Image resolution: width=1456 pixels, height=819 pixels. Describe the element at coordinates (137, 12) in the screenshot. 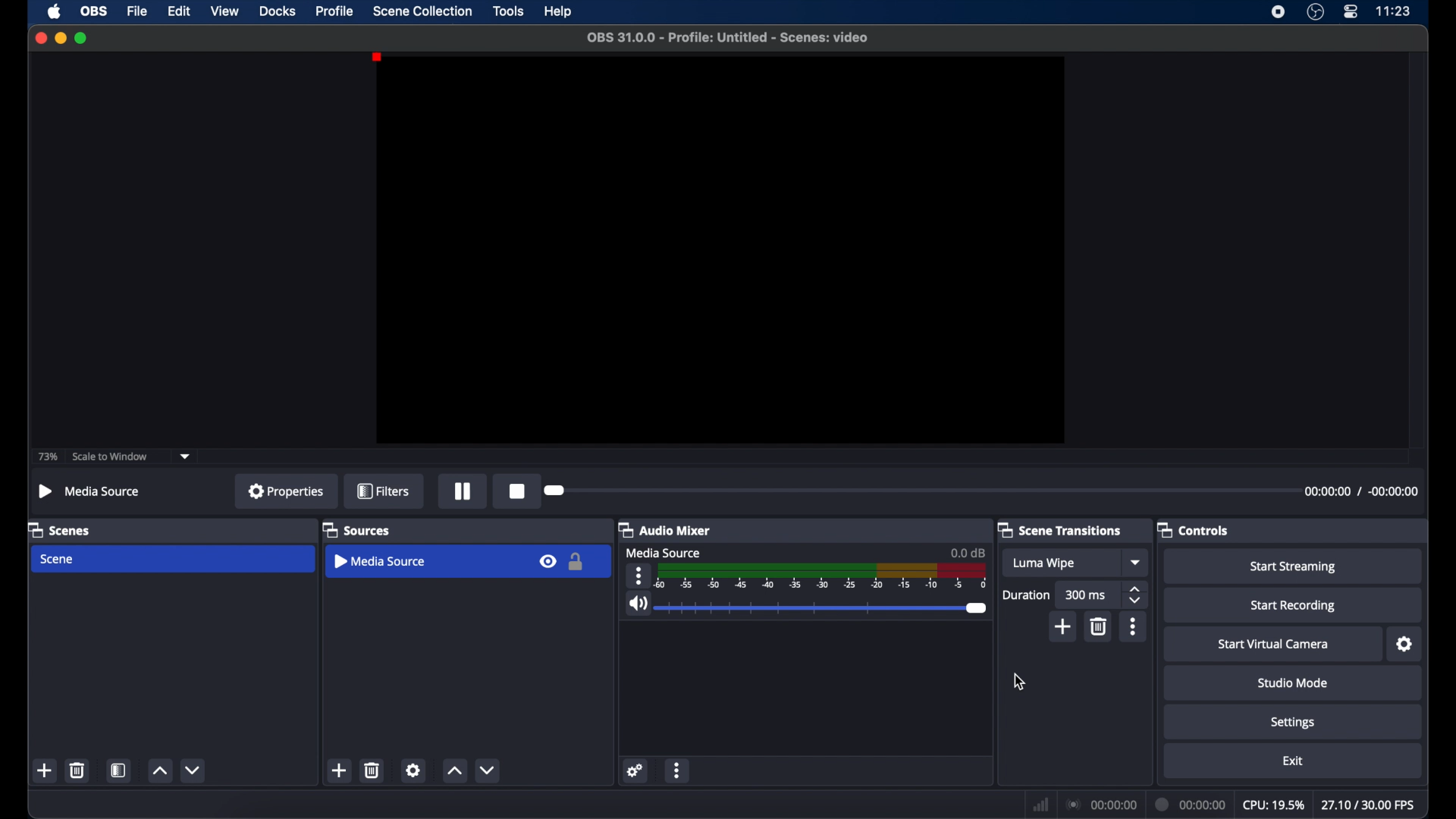

I see `file` at that location.